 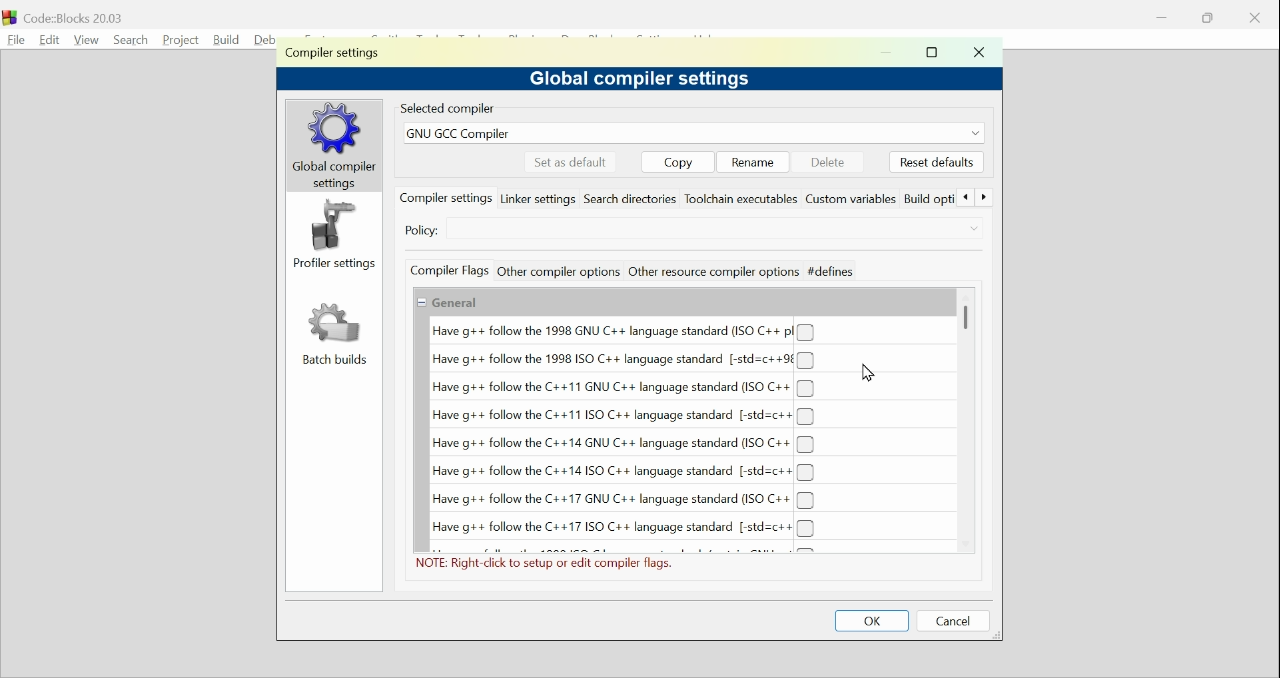 I want to click on Compiler flags, so click(x=449, y=270).